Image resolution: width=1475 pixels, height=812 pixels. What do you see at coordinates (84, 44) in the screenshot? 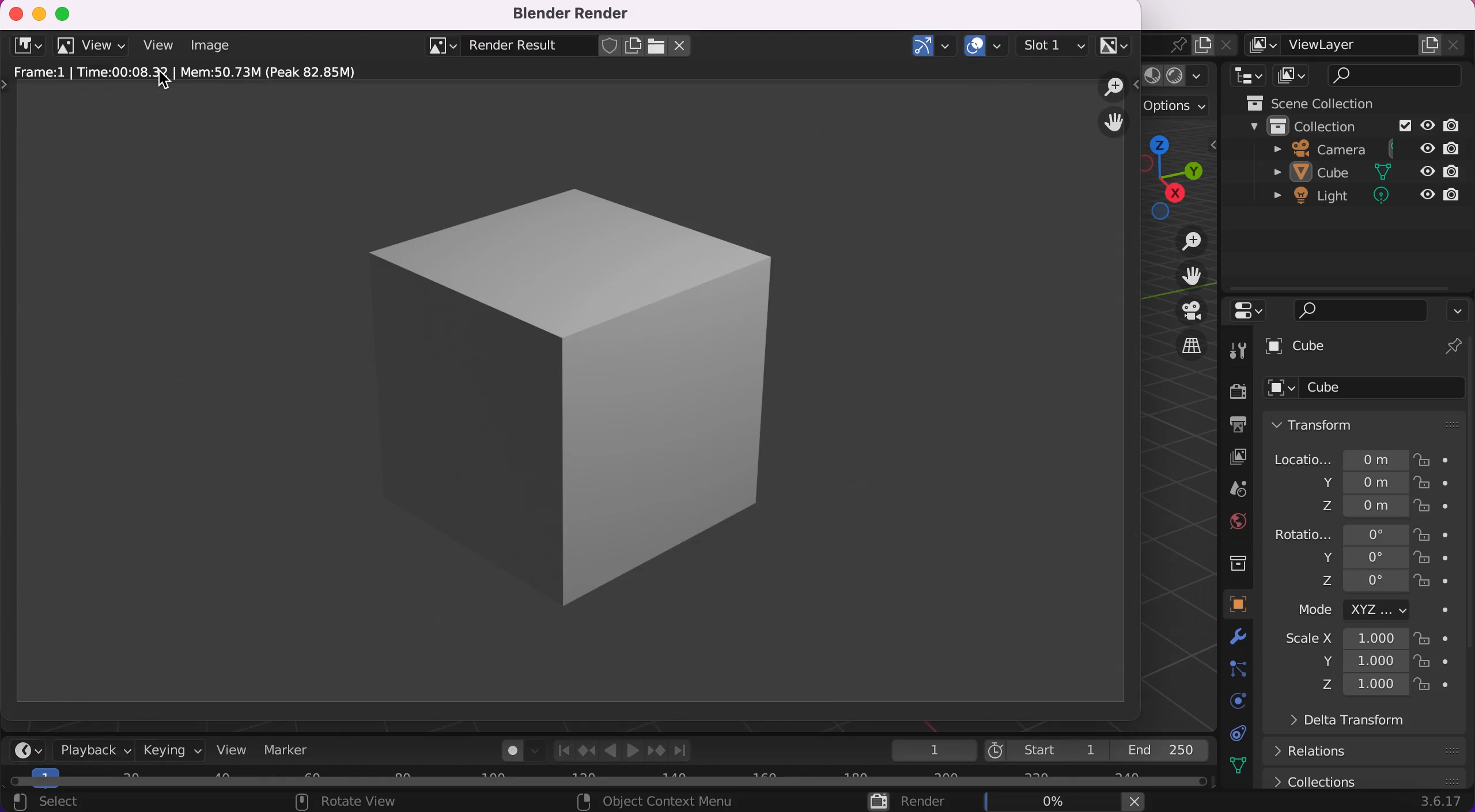
I see `view` at bounding box center [84, 44].